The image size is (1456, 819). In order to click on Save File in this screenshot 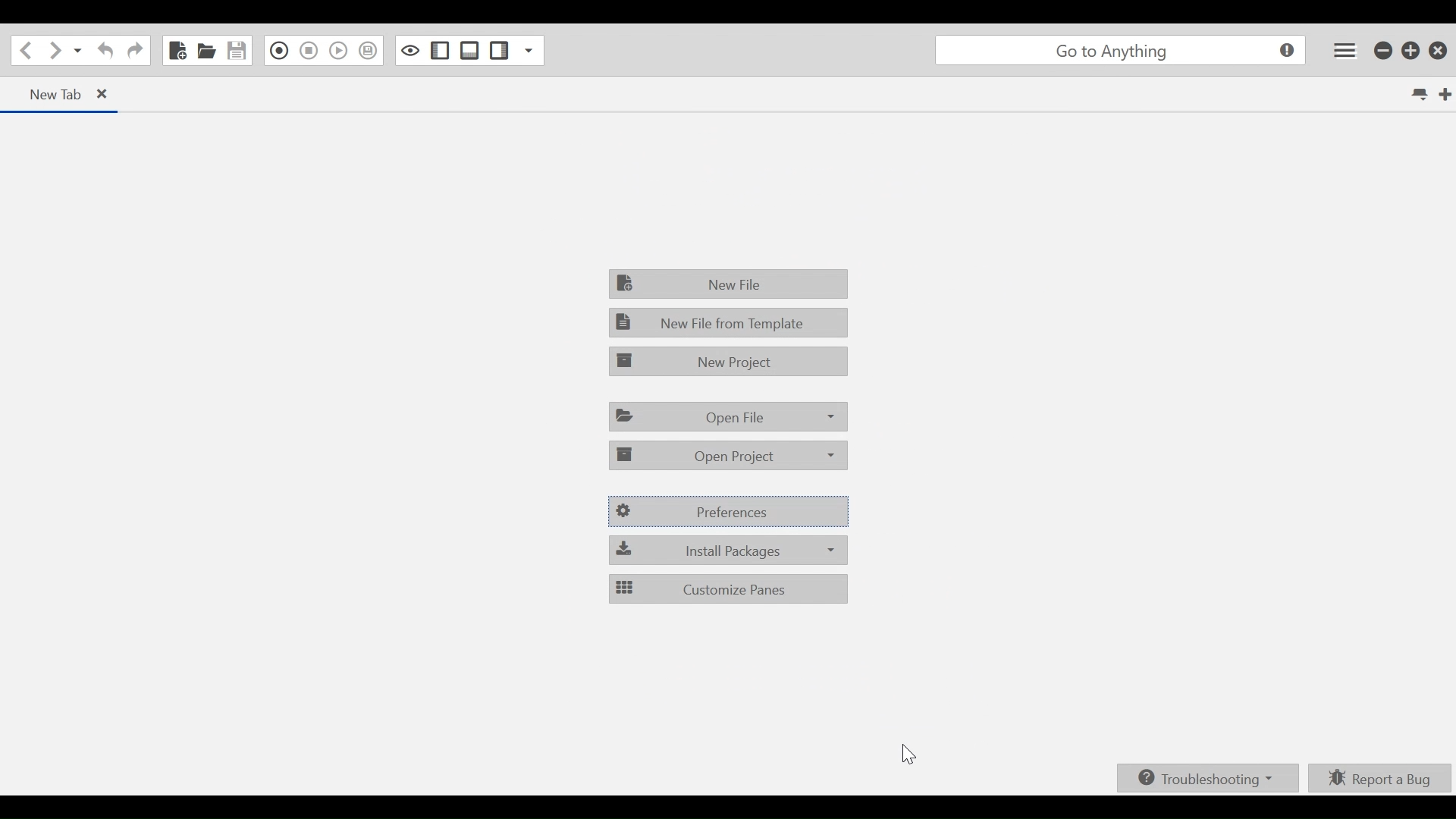, I will do `click(238, 50)`.